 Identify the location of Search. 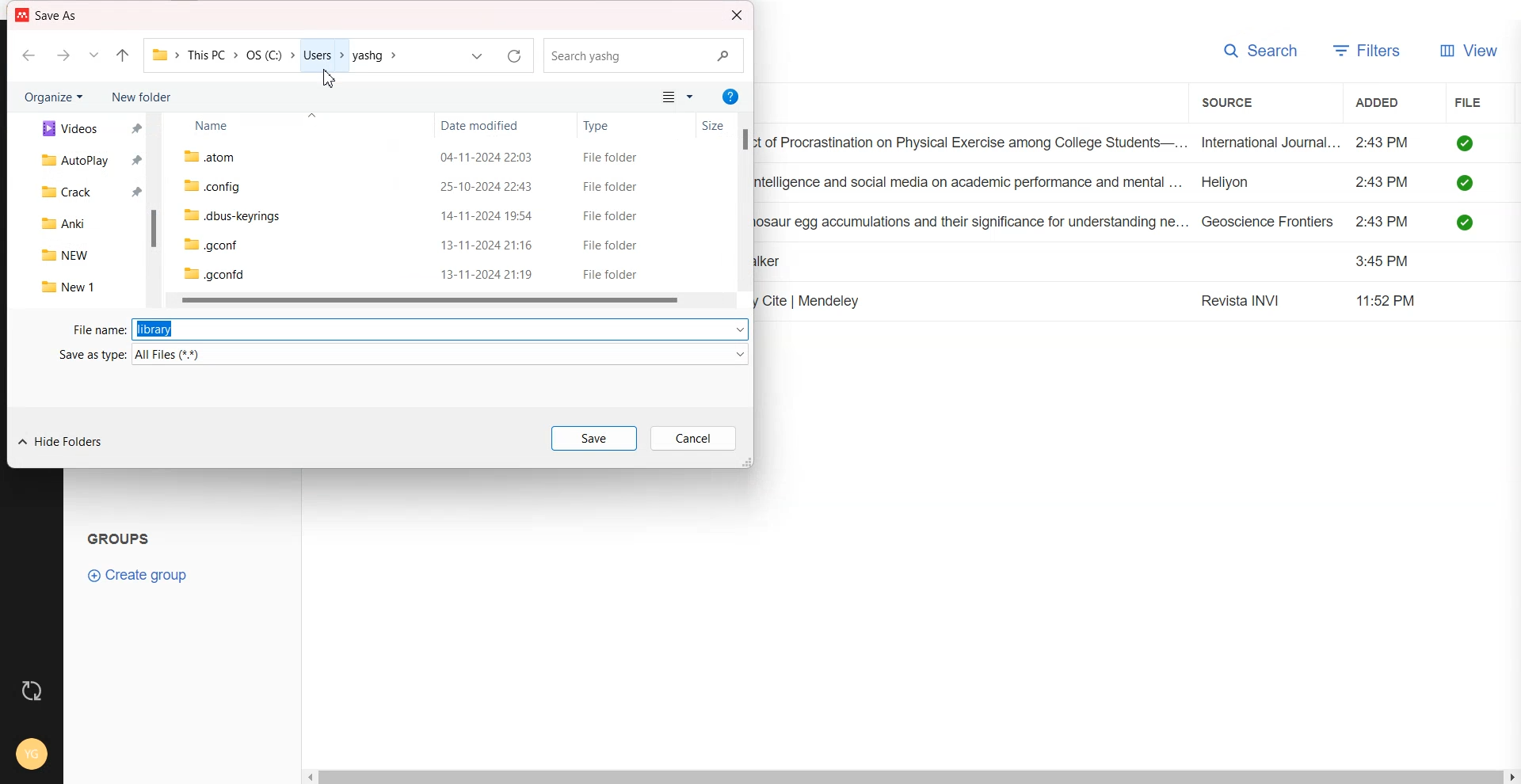
(1261, 51).